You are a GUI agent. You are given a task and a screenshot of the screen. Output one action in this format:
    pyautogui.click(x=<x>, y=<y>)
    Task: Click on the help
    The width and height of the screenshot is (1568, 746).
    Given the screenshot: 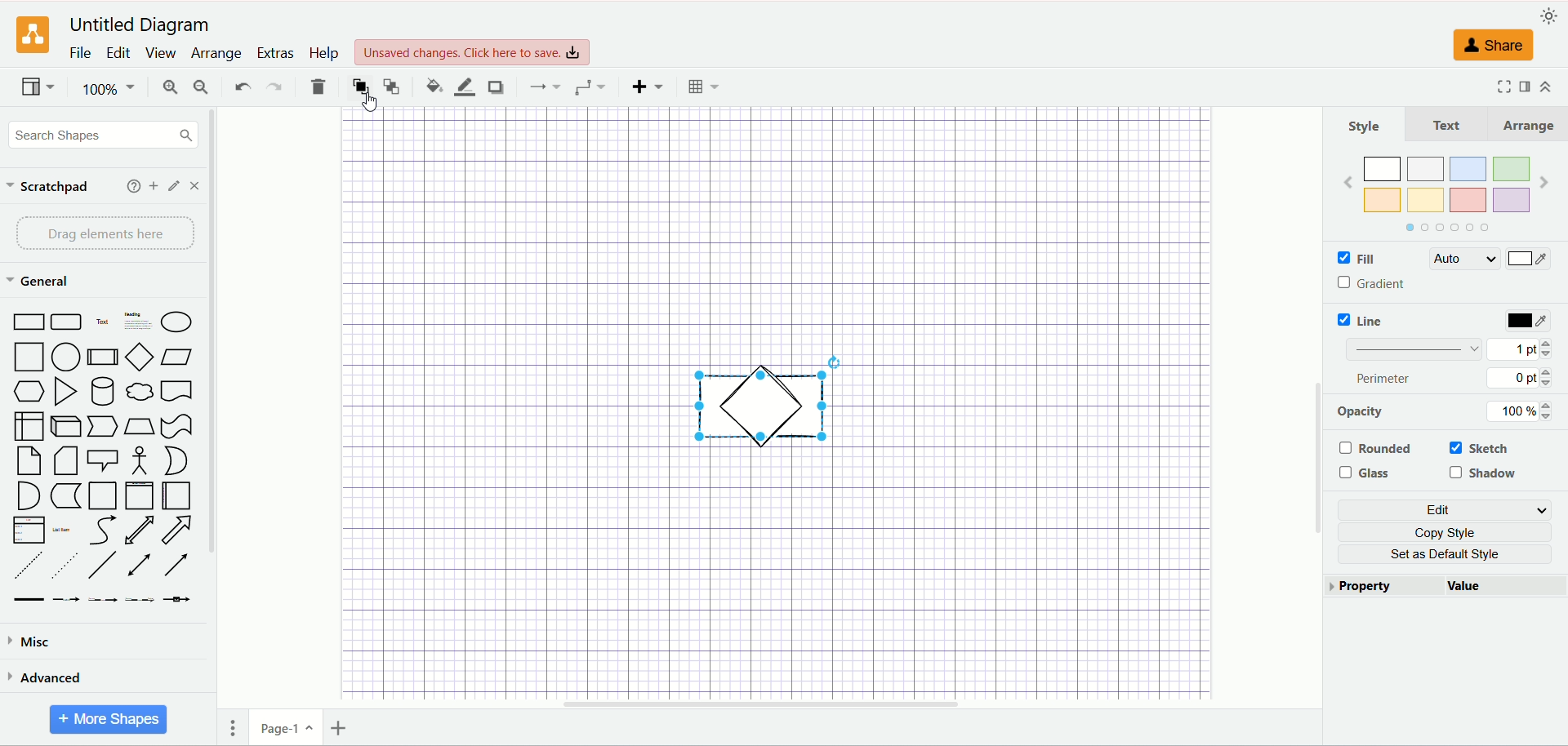 What is the action you would take?
    pyautogui.click(x=327, y=54)
    